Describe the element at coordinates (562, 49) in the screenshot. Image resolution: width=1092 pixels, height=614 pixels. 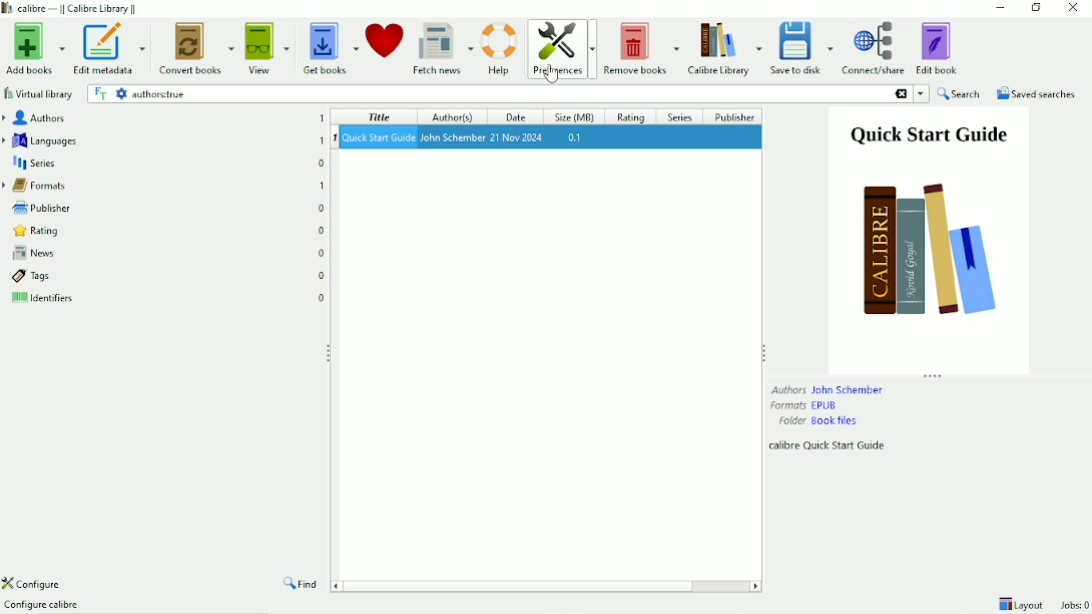
I see `Preferences` at that location.